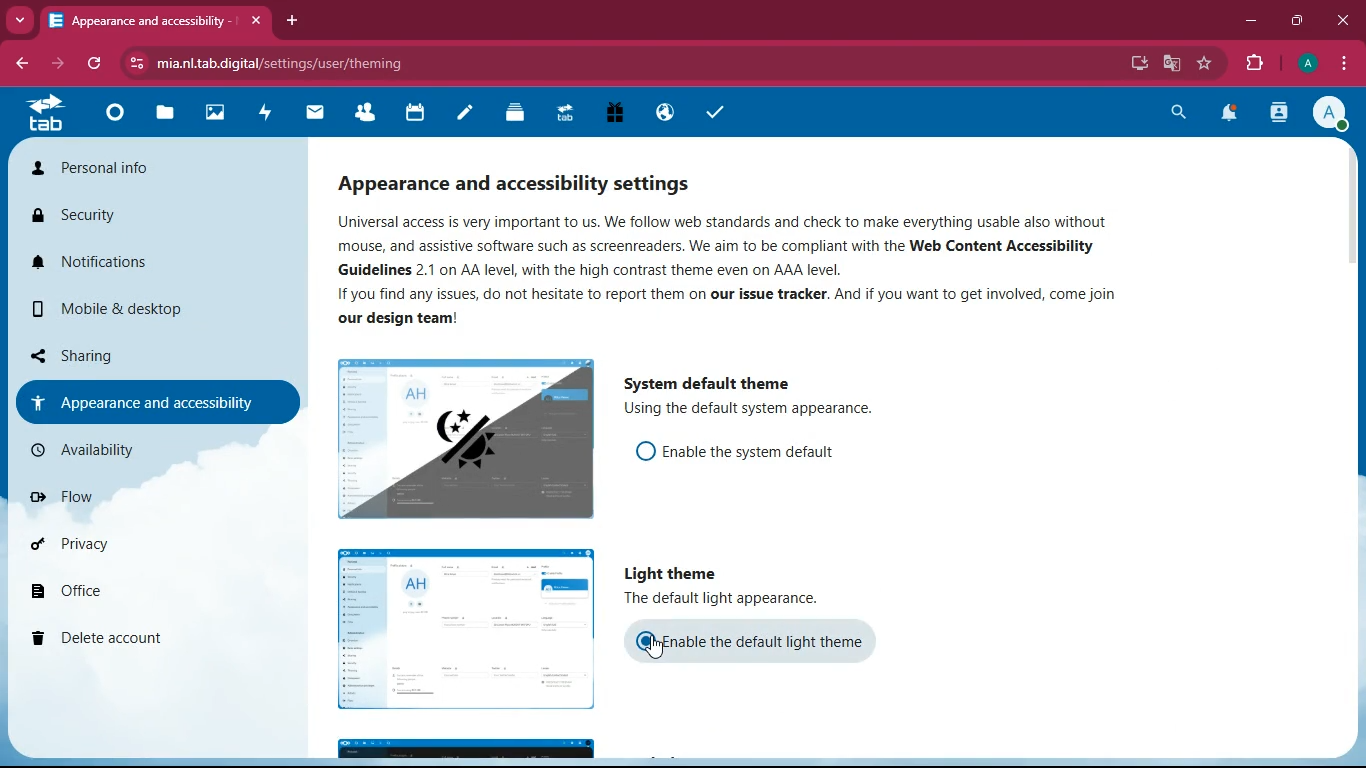  What do you see at coordinates (164, 313) in the screenshot?
I see `mobile` at bounding box center [164, 313].